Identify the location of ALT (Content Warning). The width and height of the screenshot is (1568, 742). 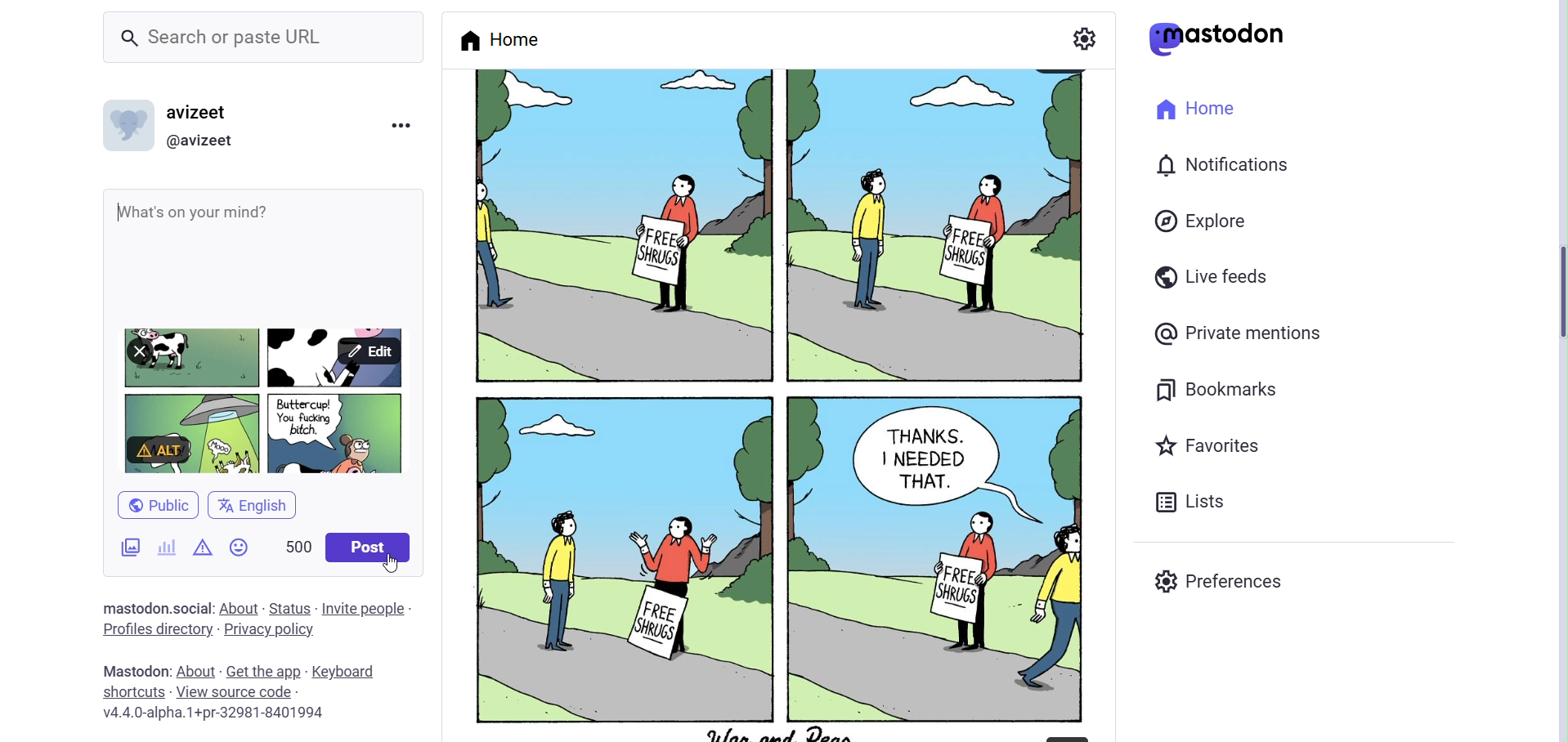
(158, 452).